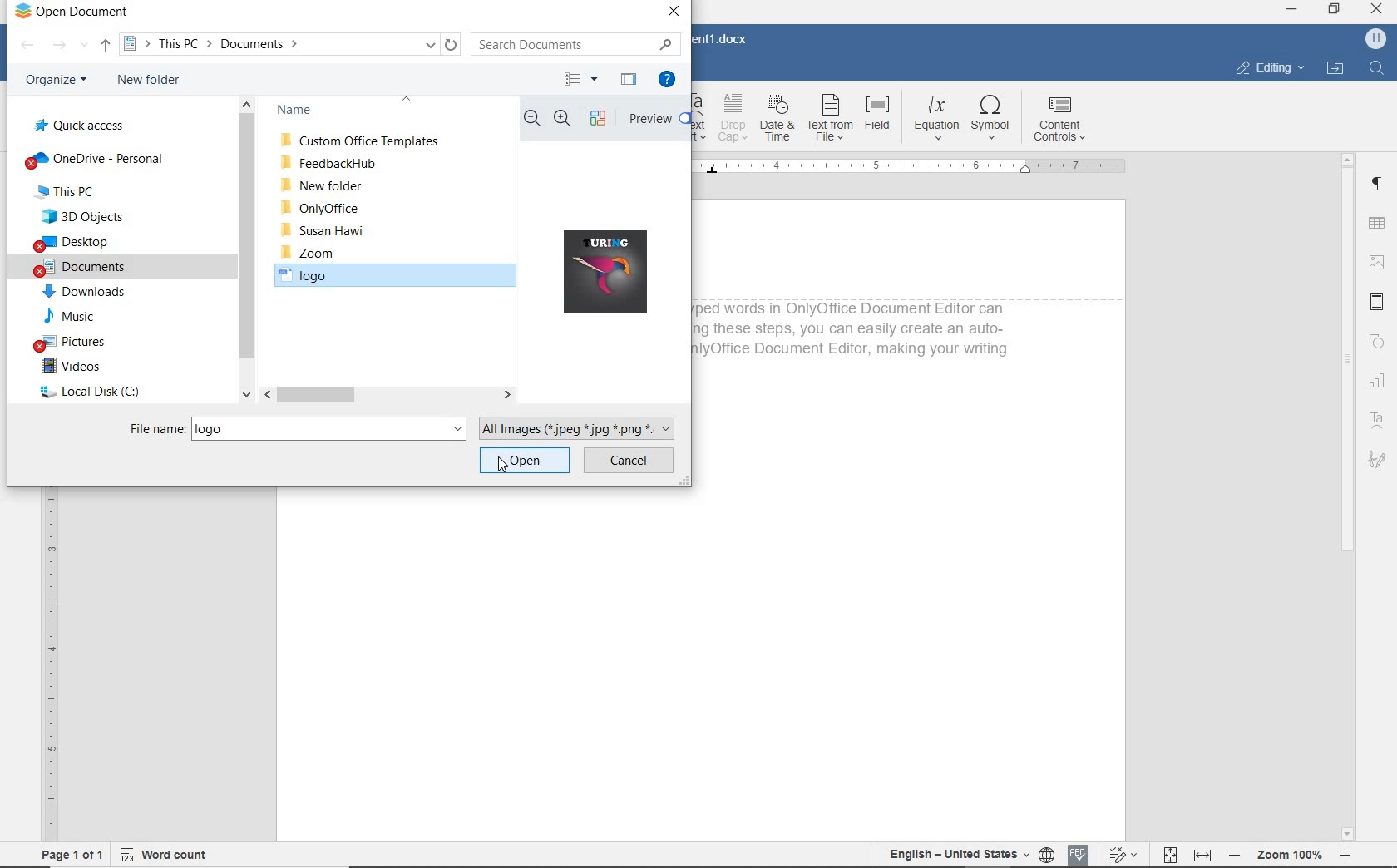 The width and height of the screenshot is (1397, 868). What do you see at coordinates (1377, 303) in the screenshot?
I see `HEADER & FOOTER` at bounding box center [1377, 303].